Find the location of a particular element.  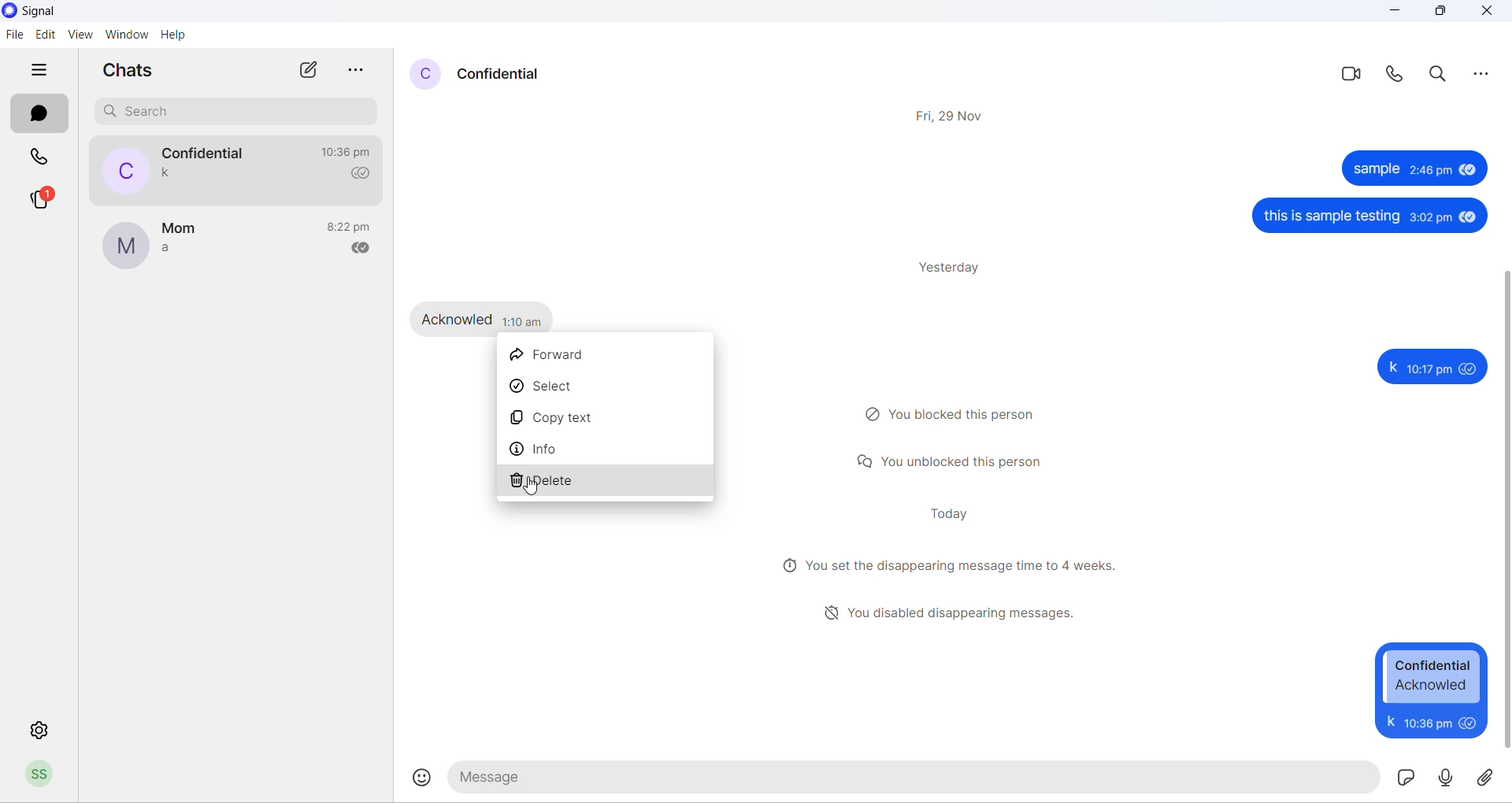

cursor is located at coordinates (536, 487).